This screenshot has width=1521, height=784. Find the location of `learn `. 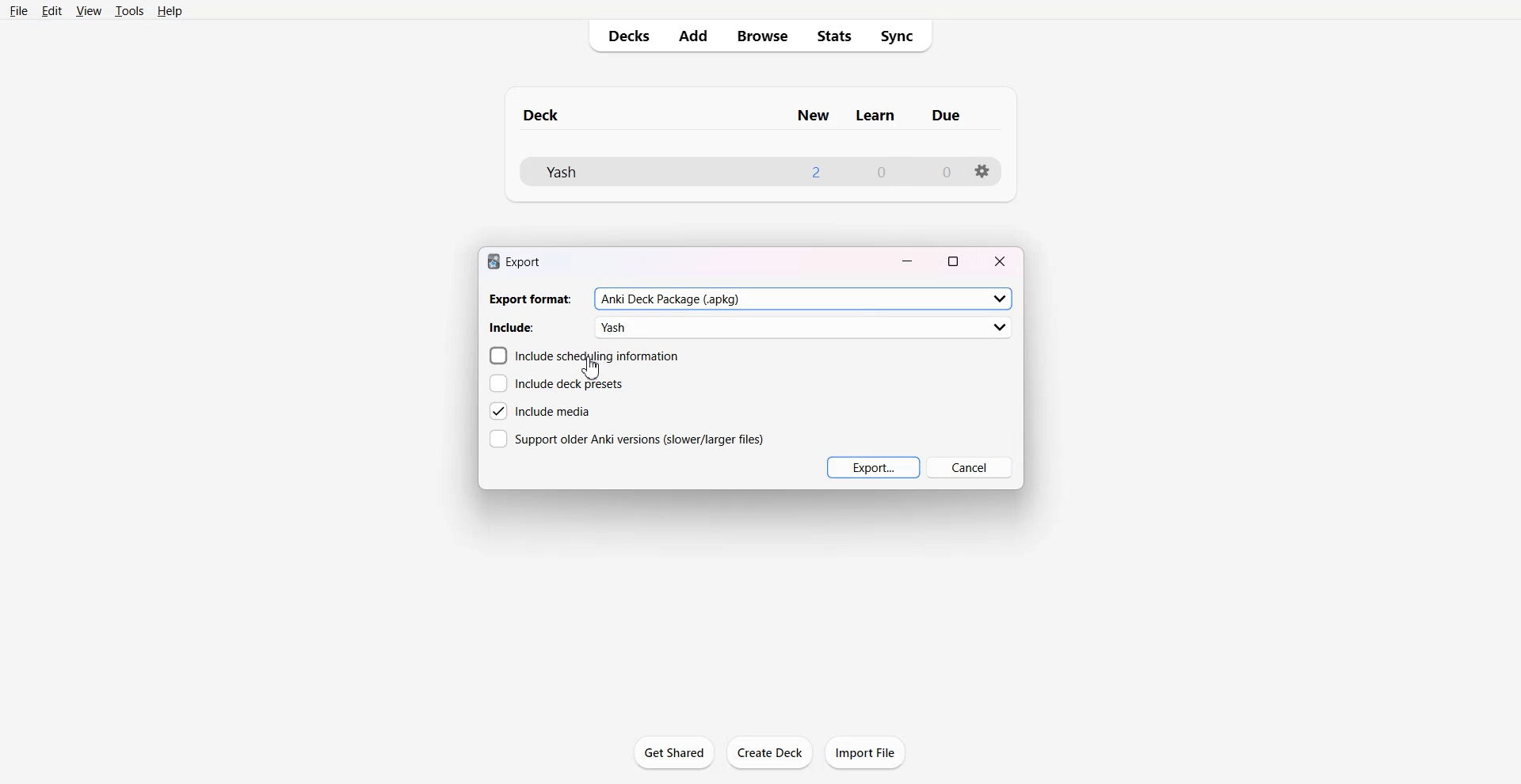

learn  is located at coordinates (877, 116).